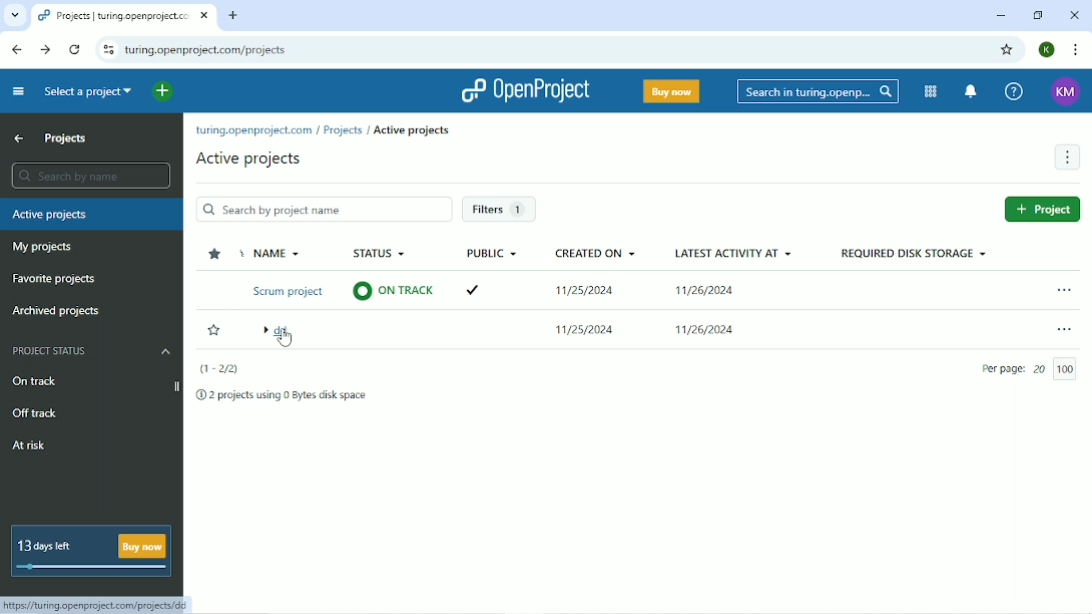 This screenshot has height=614, width=1092. What do you see at coordinates (527, 91) in the screenshot?
I see `OpenProject` at bounding box center [527, 91].